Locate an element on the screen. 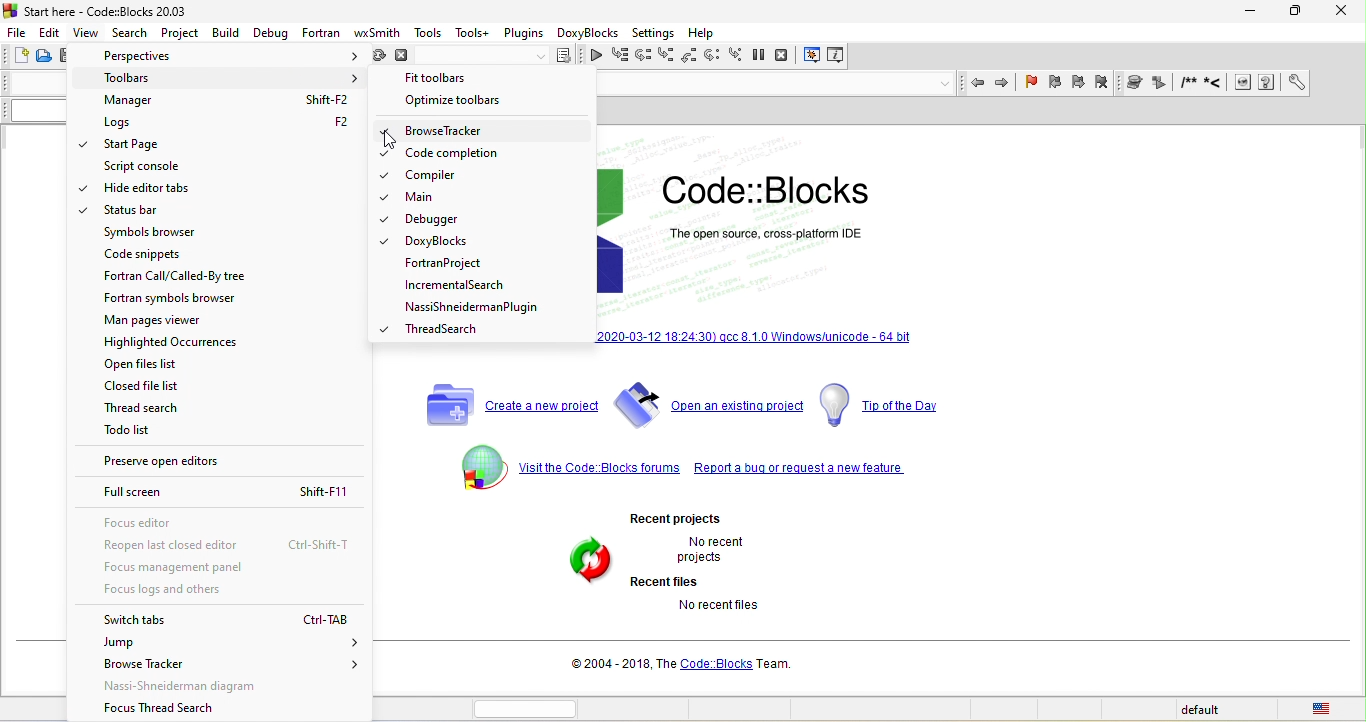 Image resolution: width=1366 pixels, height=722 pixels. focus management panel is located at coordinates (175, 571).